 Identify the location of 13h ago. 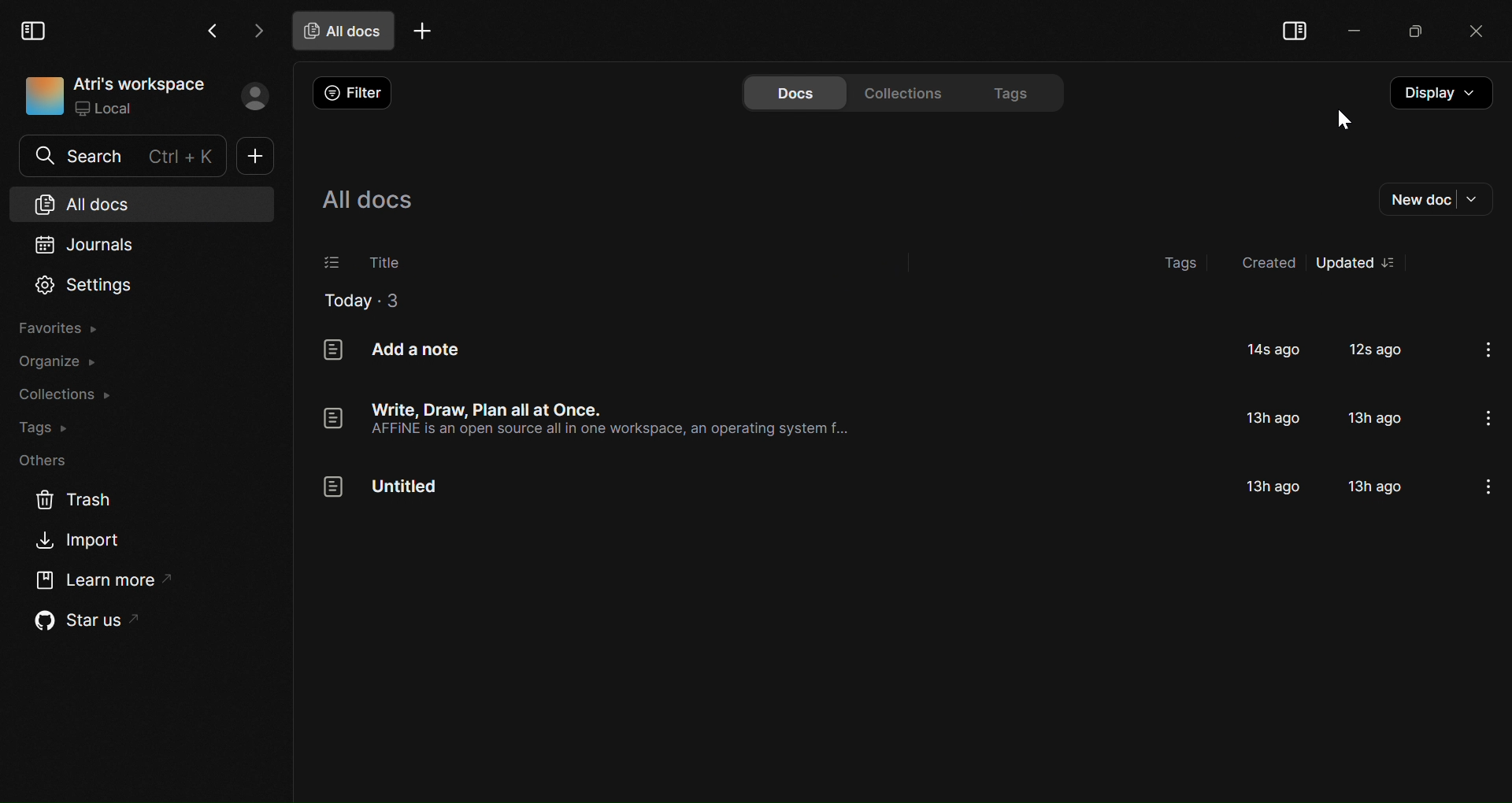
(1277, 484).